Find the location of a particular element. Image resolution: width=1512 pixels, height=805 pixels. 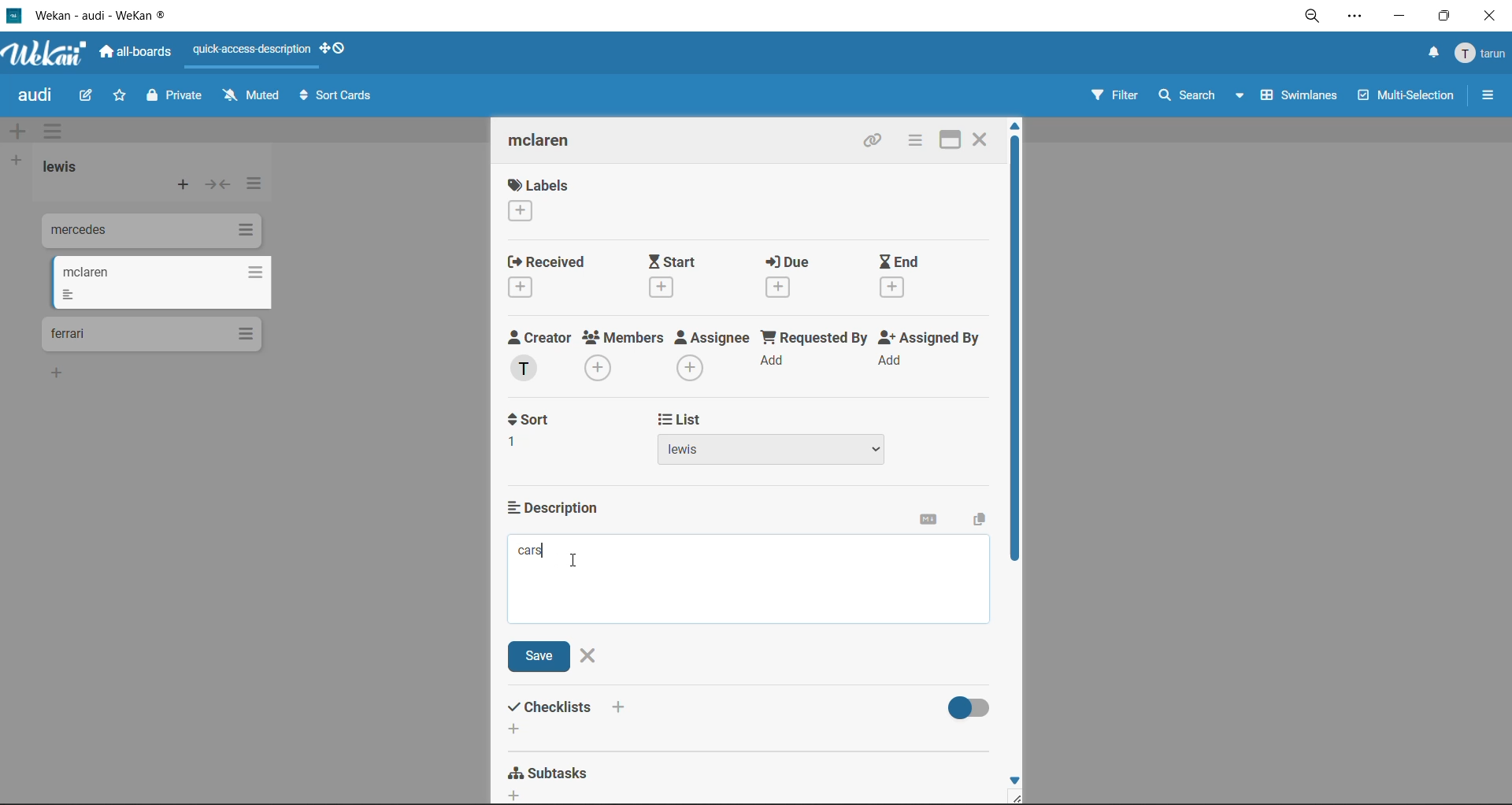

cards is located at coordinates (160, 283).